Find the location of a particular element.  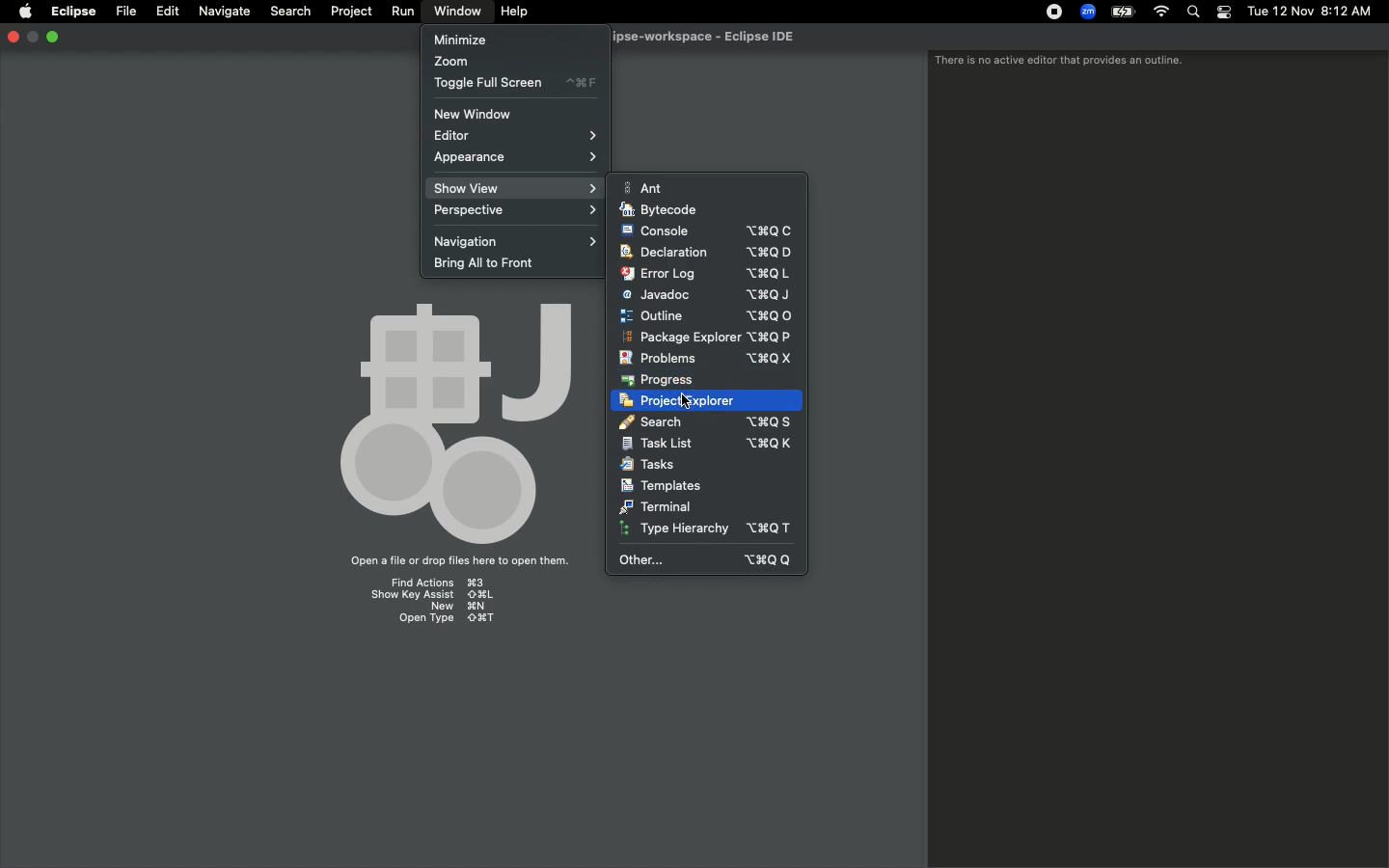

Click outline is located at coordinates (705, 315).